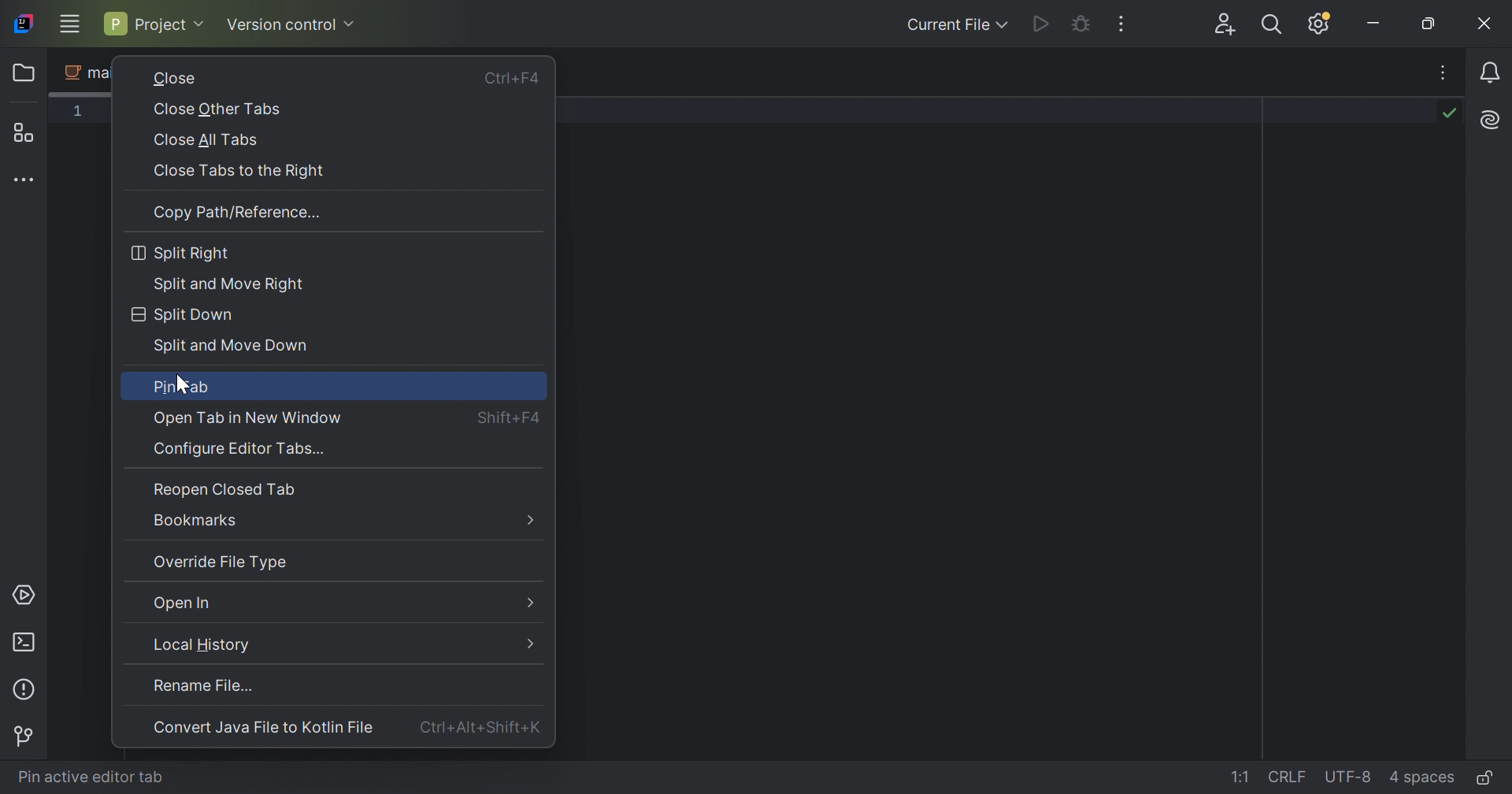  I want to click on Close, so click(1486, 23).